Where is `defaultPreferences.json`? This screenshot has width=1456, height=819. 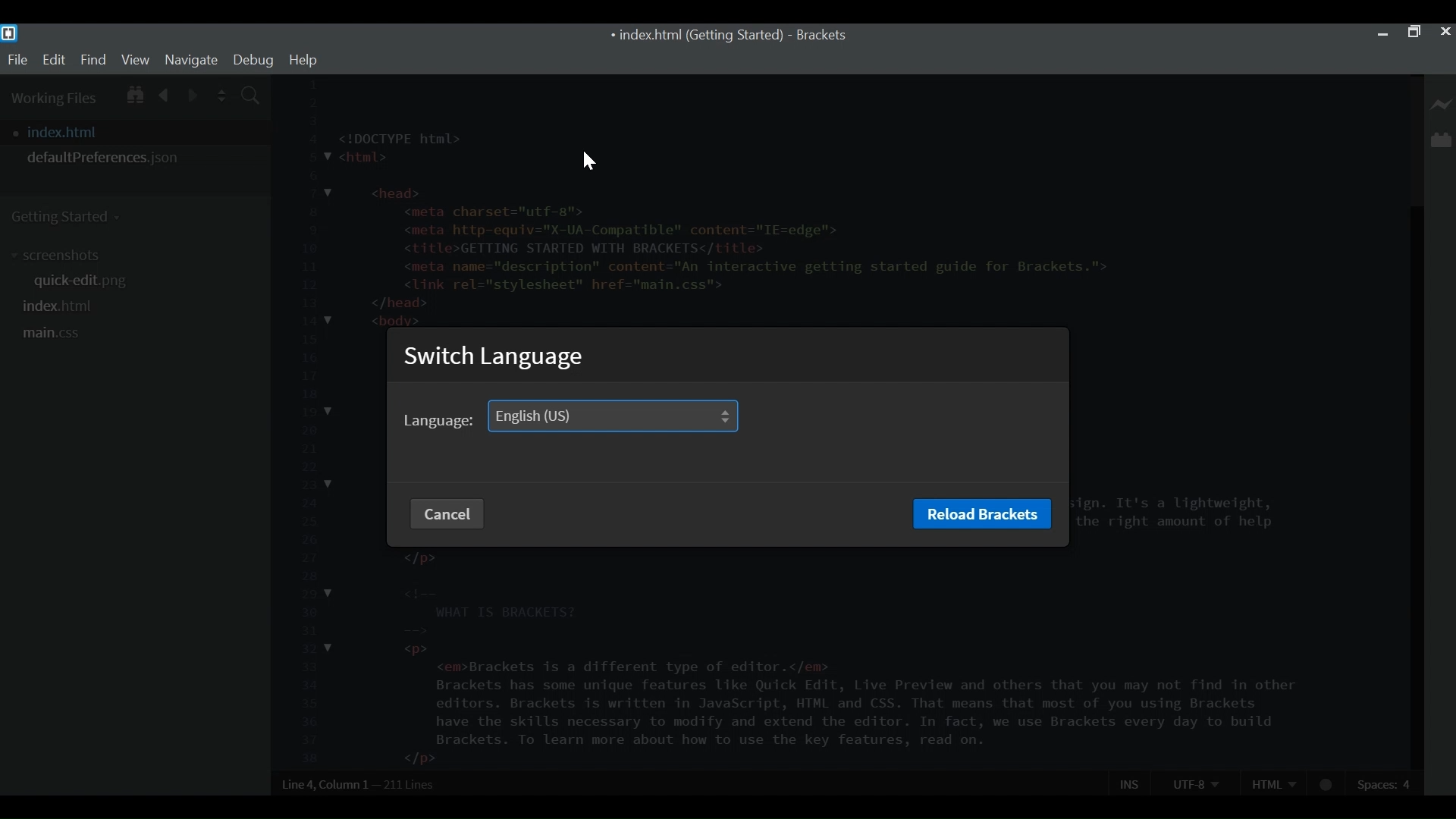
defaultPreferences.json is located at coordinates (135, 158).